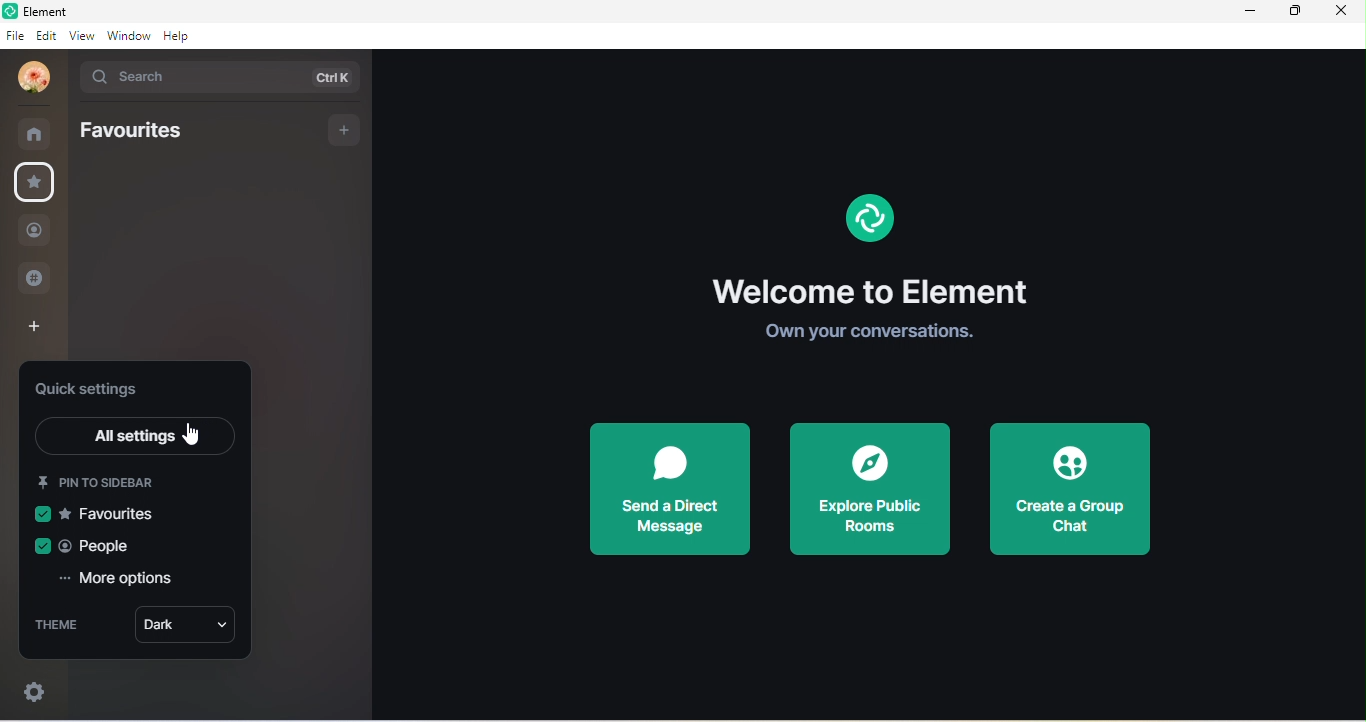  Describe the element at coordinates (40, 184) in the screenshot. I see `favourites` at that location.